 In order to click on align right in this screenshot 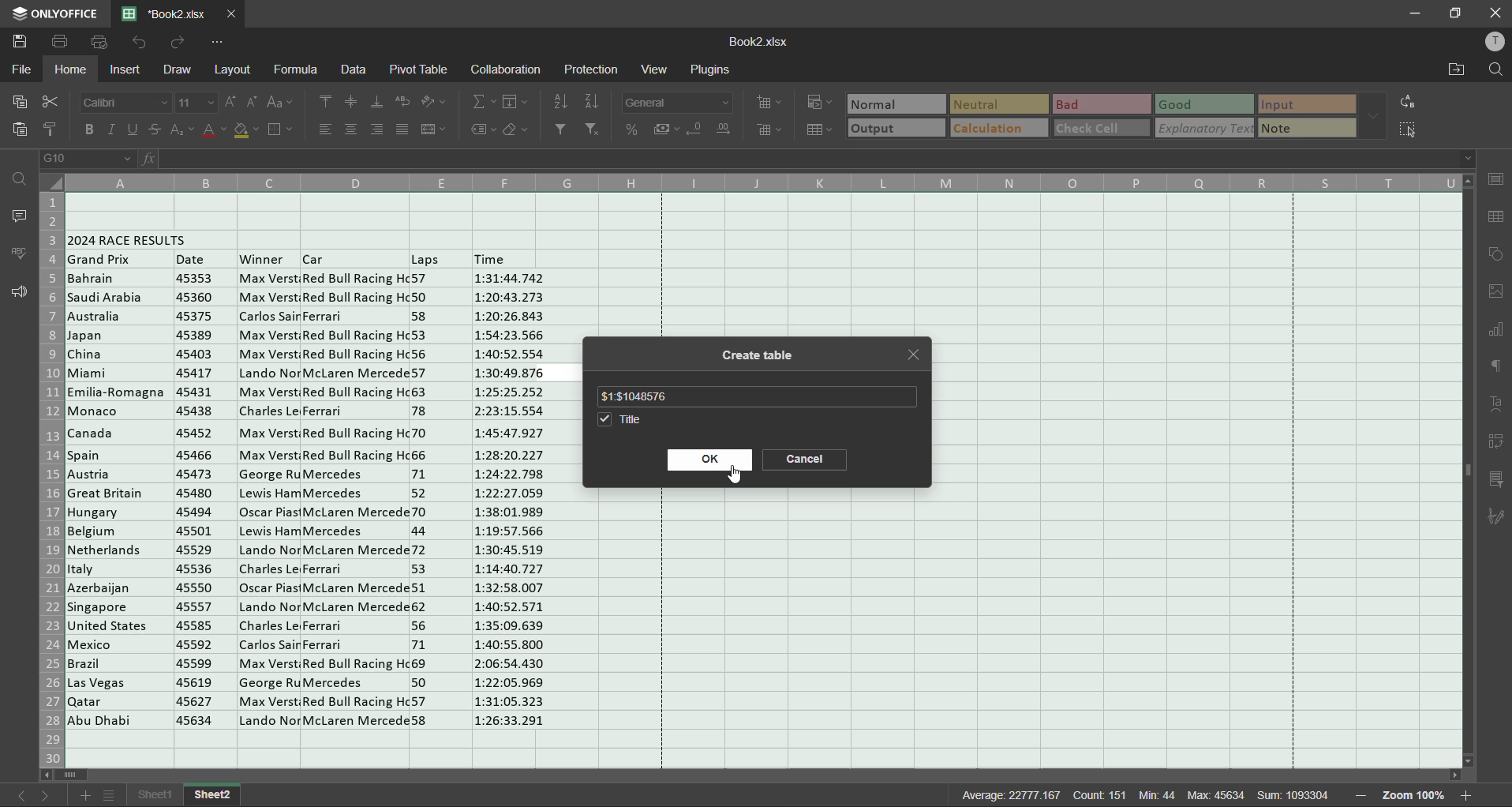, I will do `click(378, 130)`.